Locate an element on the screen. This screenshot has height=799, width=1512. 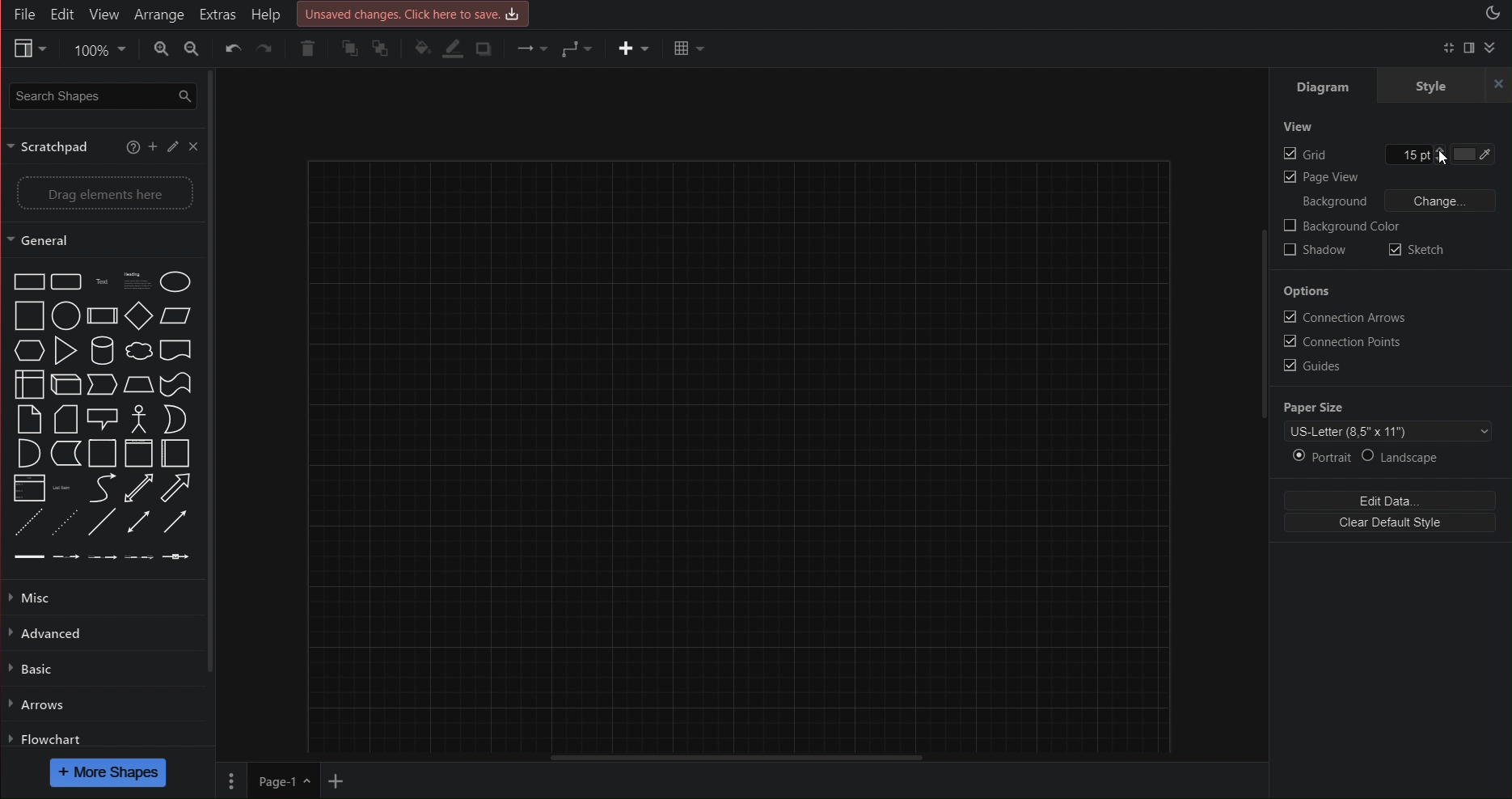
Arrows is located at coordinates (39, 703).